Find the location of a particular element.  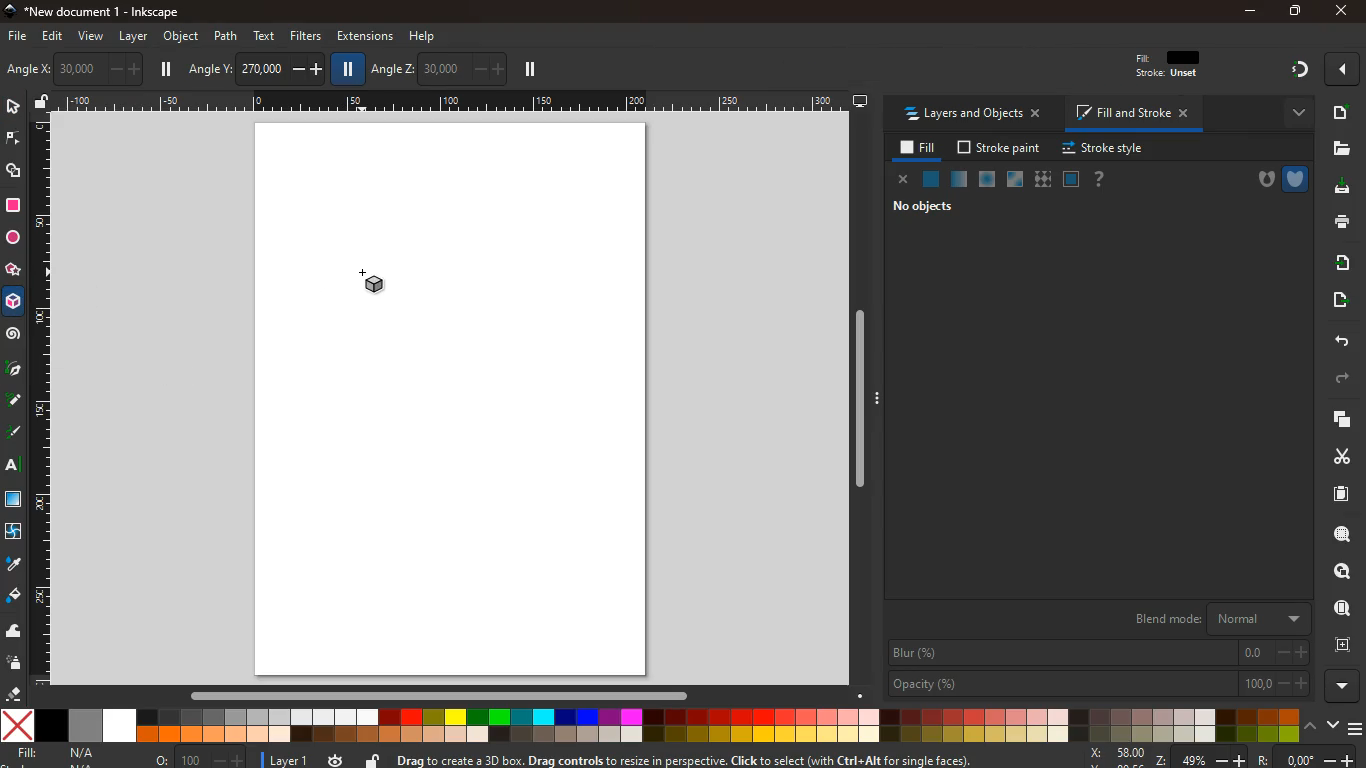

text is located at coordinates (266, 35).